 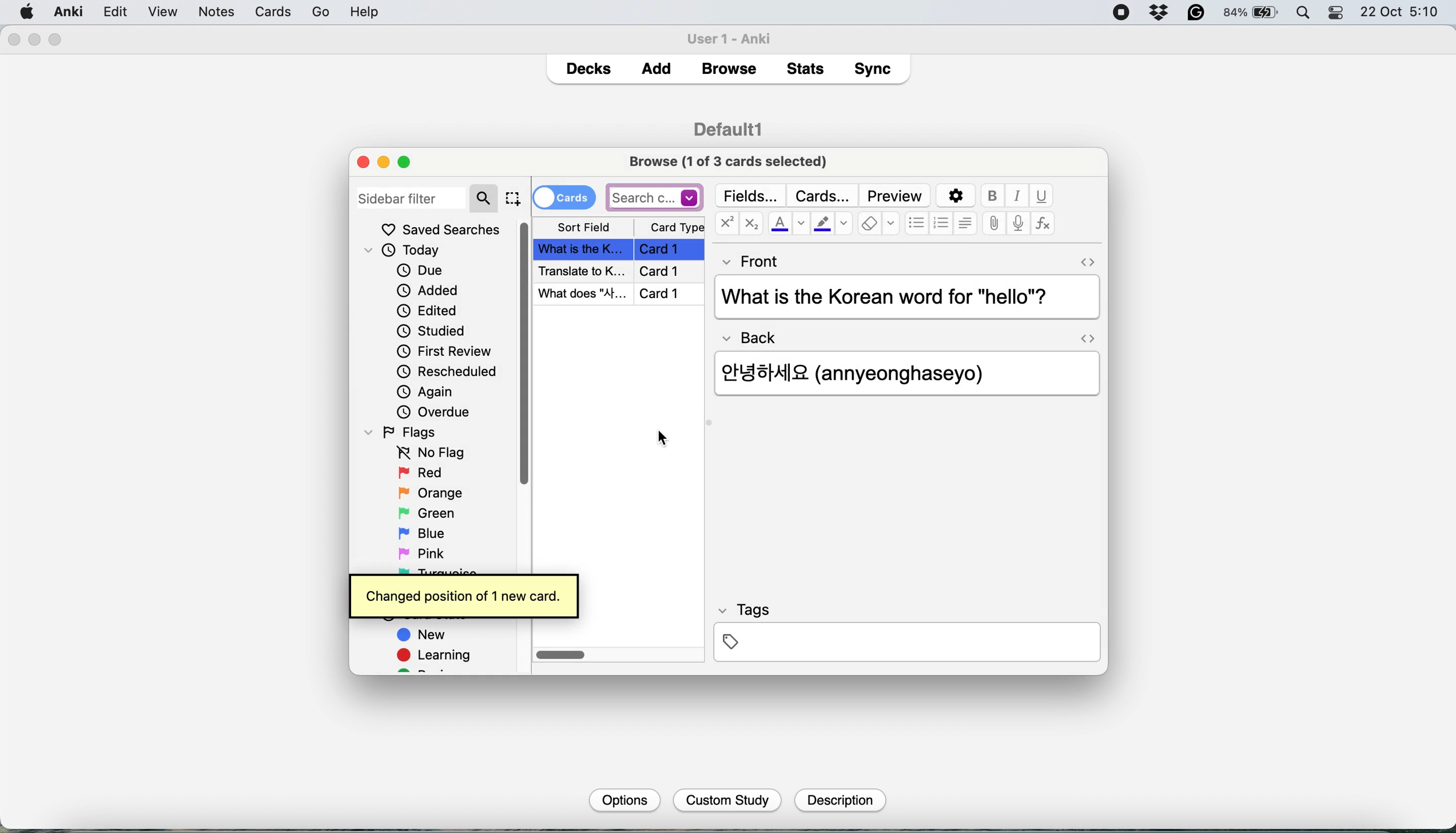 I want to click on studied, so click(x=432, y=330).